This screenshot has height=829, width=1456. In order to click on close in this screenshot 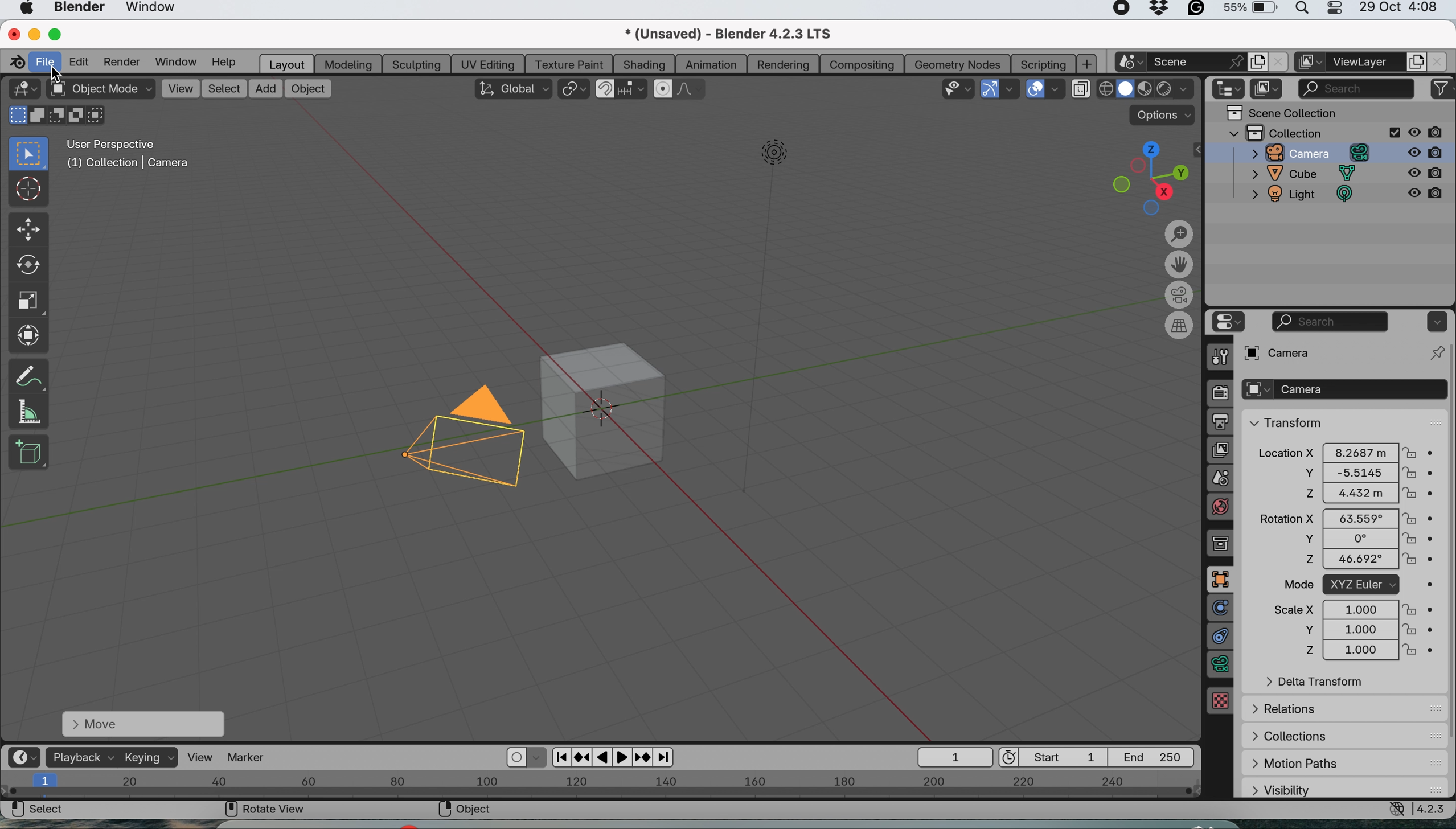, I will do `click(1439, 61)`.